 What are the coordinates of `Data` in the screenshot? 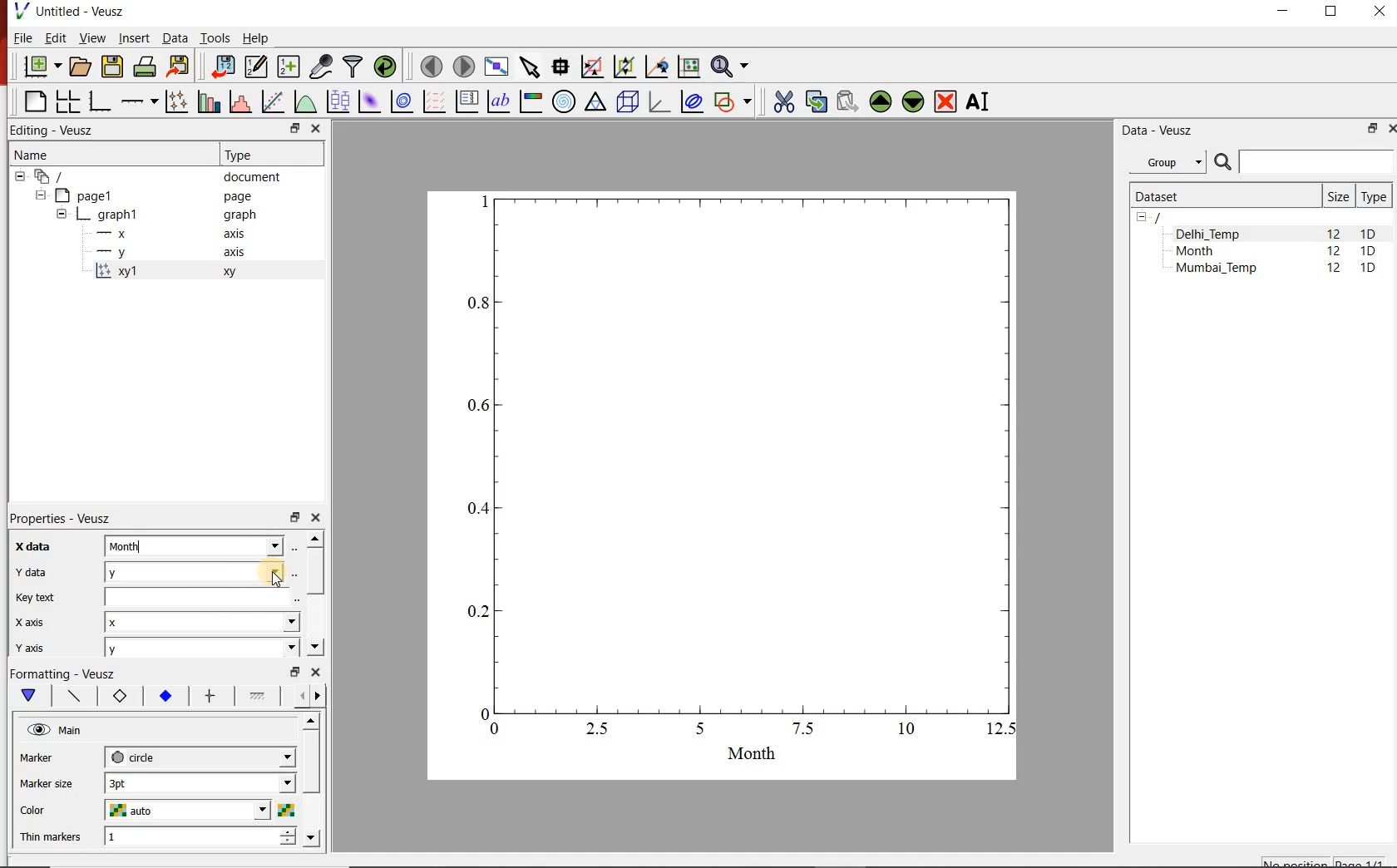 It's located at (174, 37).